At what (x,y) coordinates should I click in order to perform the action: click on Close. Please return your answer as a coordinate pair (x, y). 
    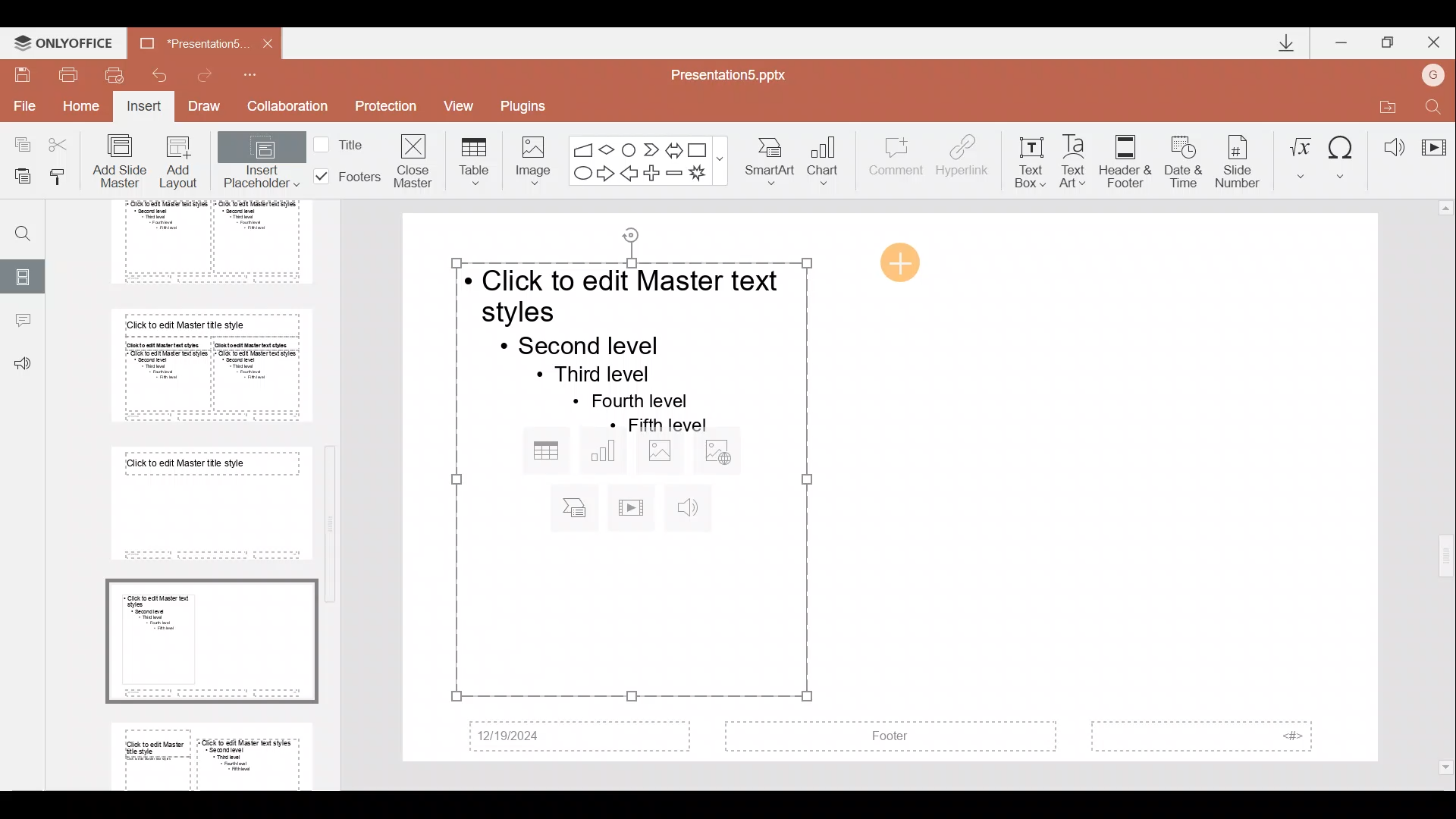
    Looking at the image, I should click on (1436, 39).